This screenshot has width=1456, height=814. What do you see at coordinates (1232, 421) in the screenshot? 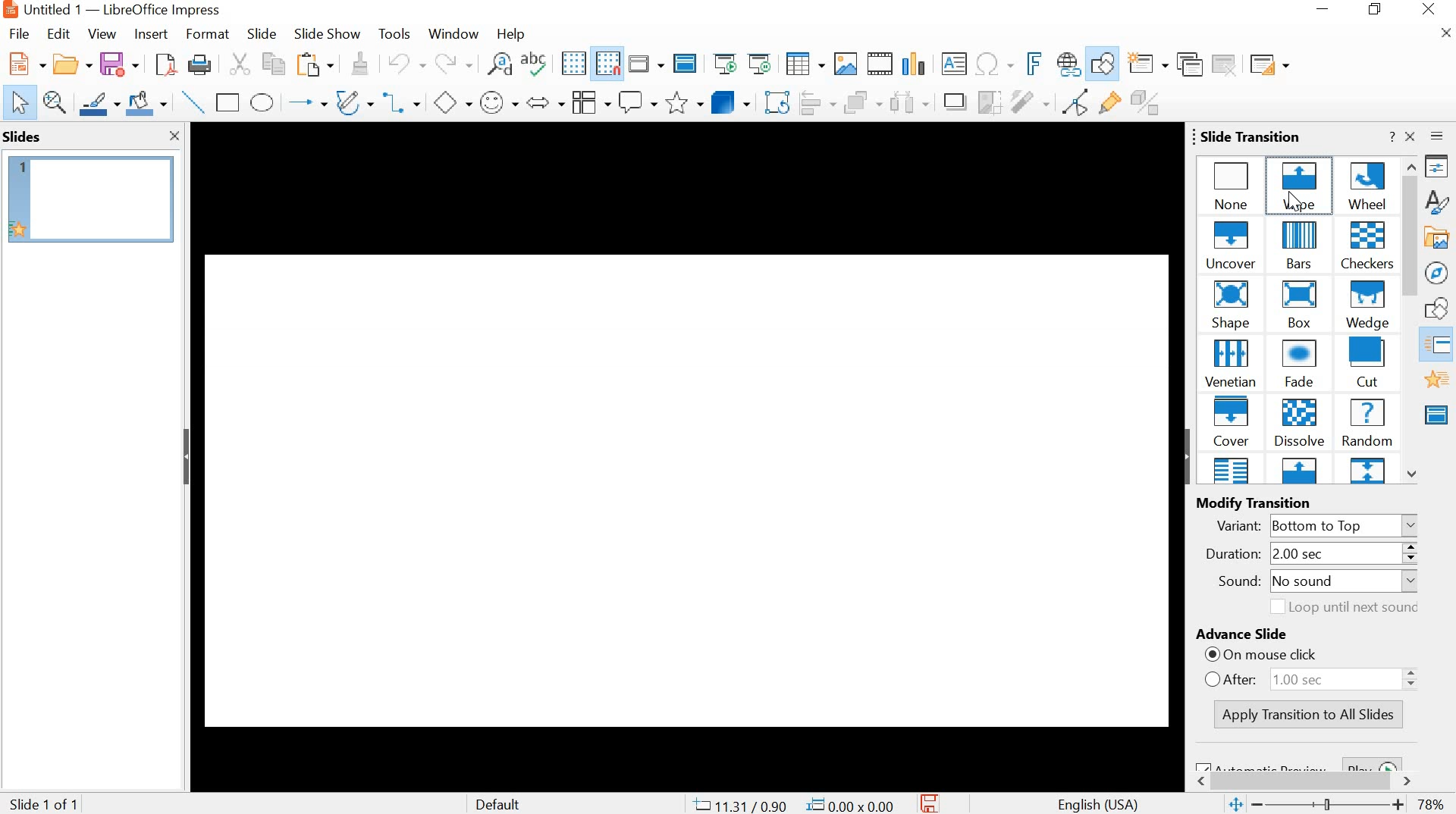
I see `COVER` at bounding box center [1232, 421].